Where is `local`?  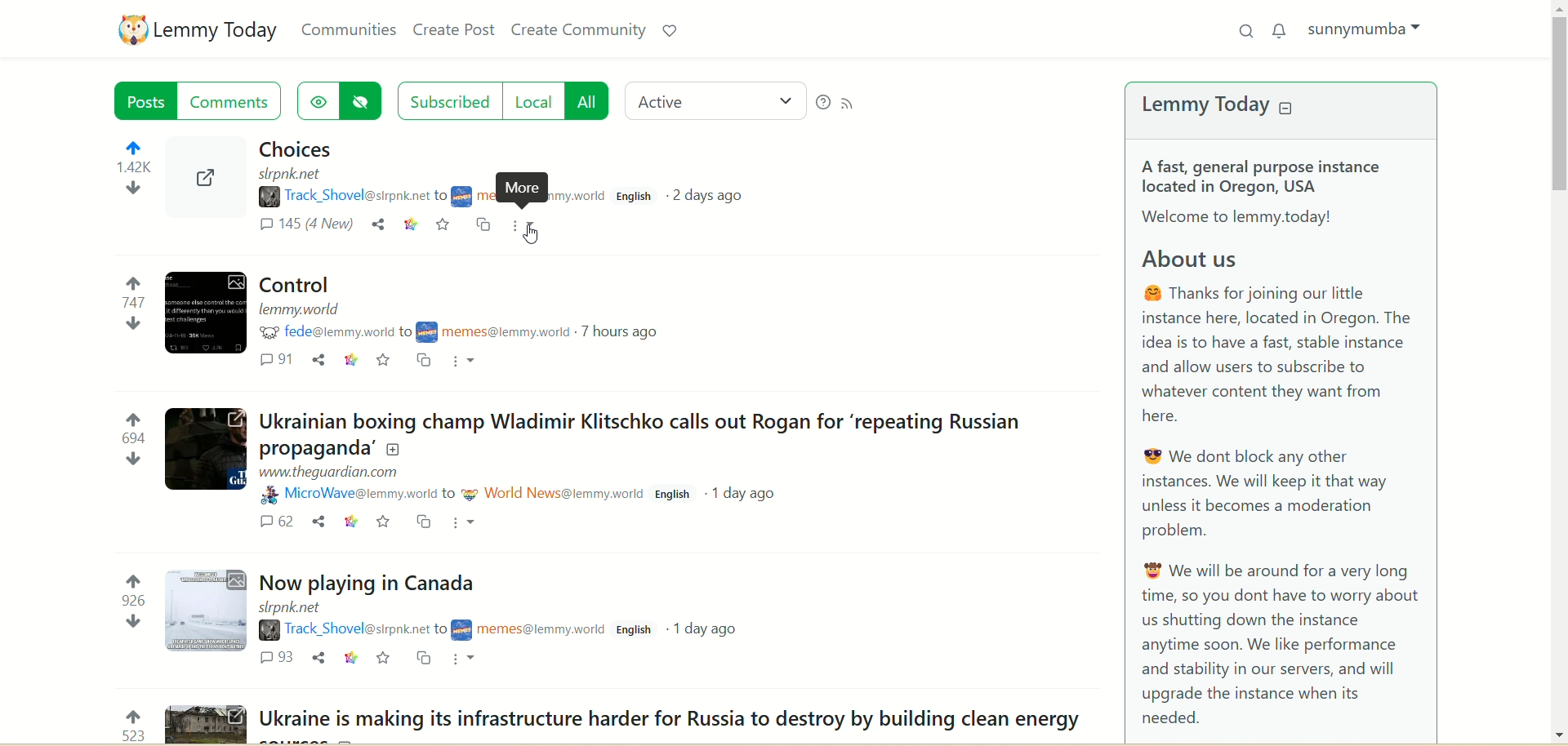 local is located at coordinates (531, 102).